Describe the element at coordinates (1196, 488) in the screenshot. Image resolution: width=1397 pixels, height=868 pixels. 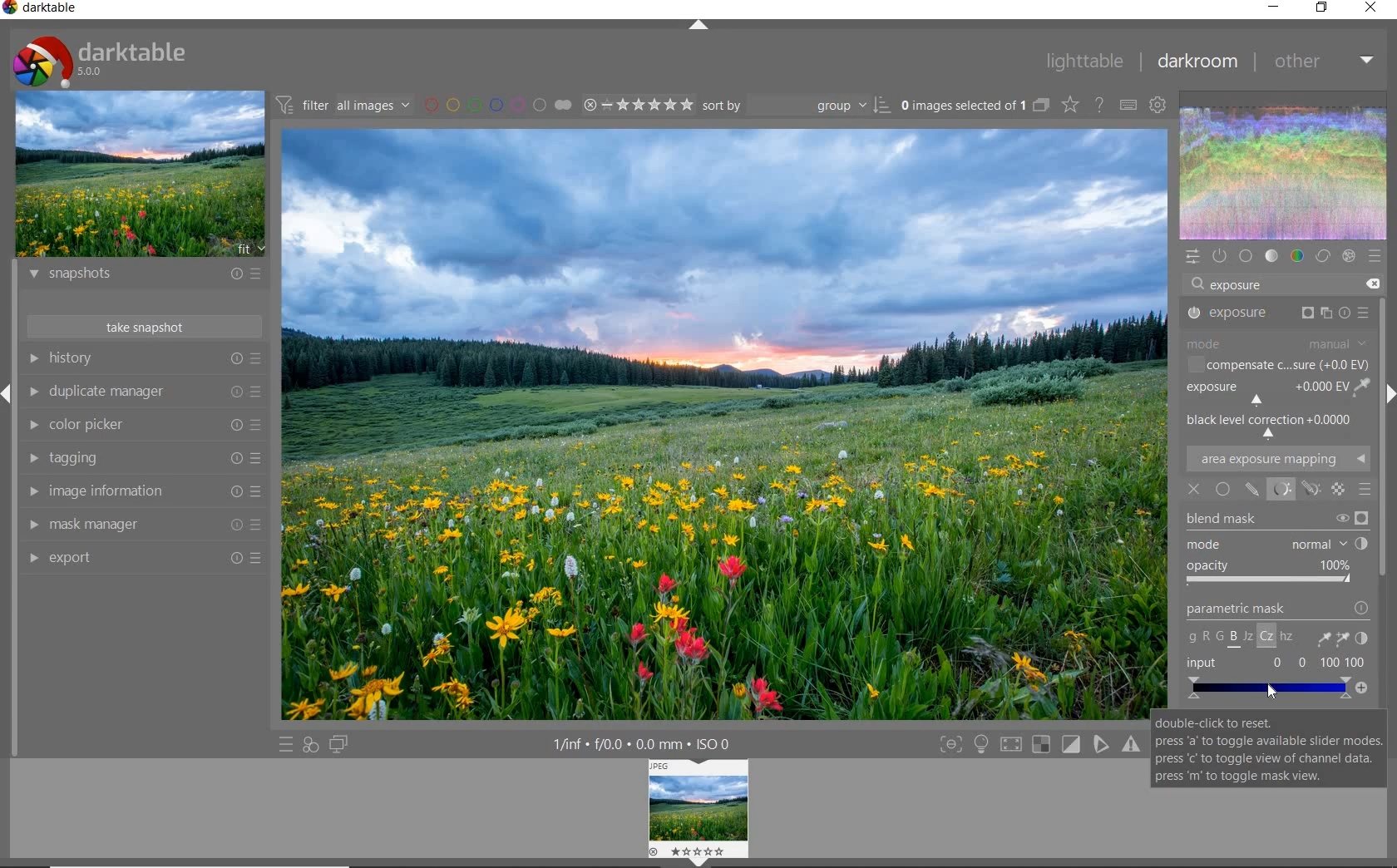
I see `OFF` at that location.